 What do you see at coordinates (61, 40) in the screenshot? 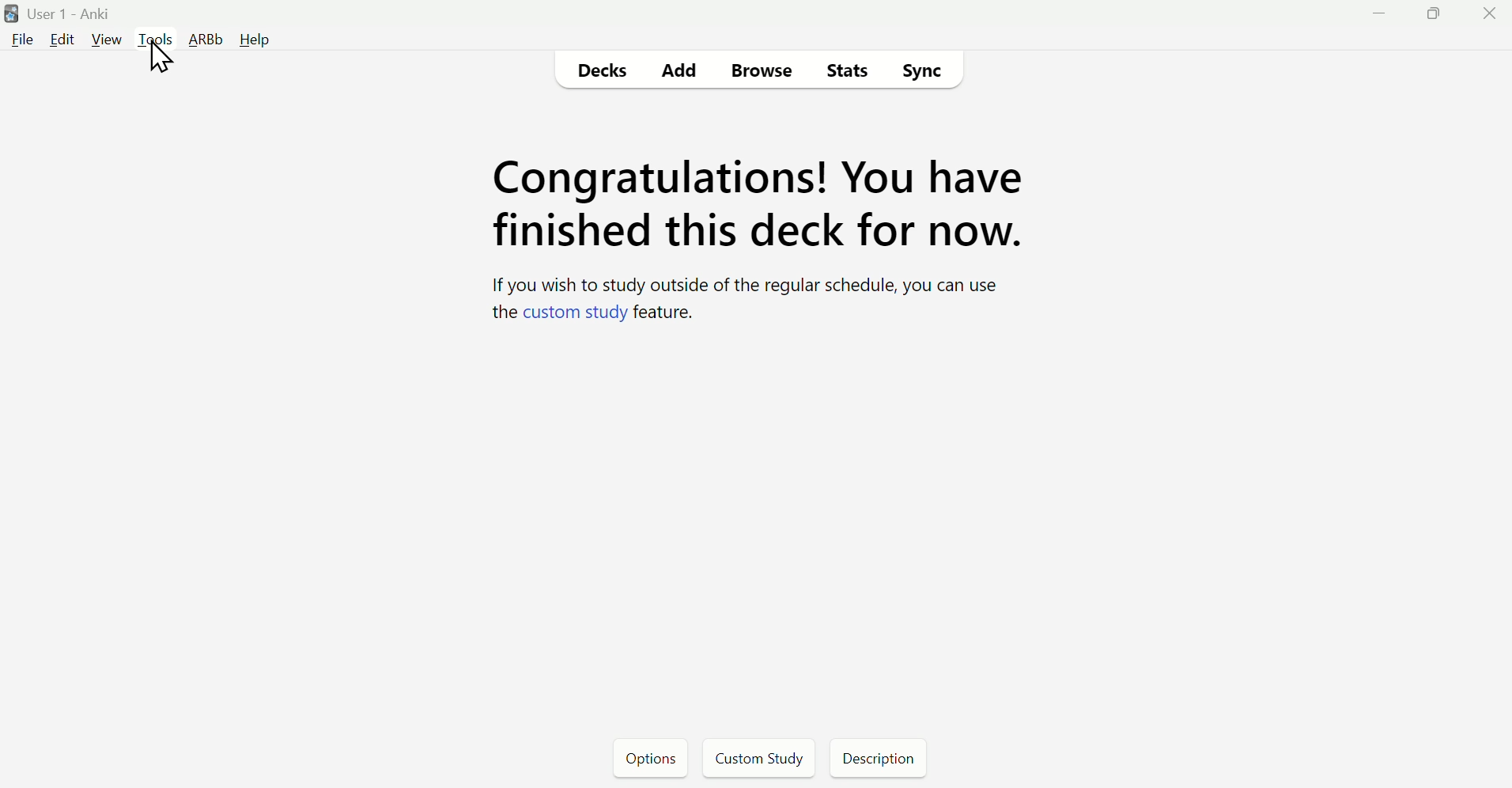
I see `Edit` at bounding box center [61, 40].